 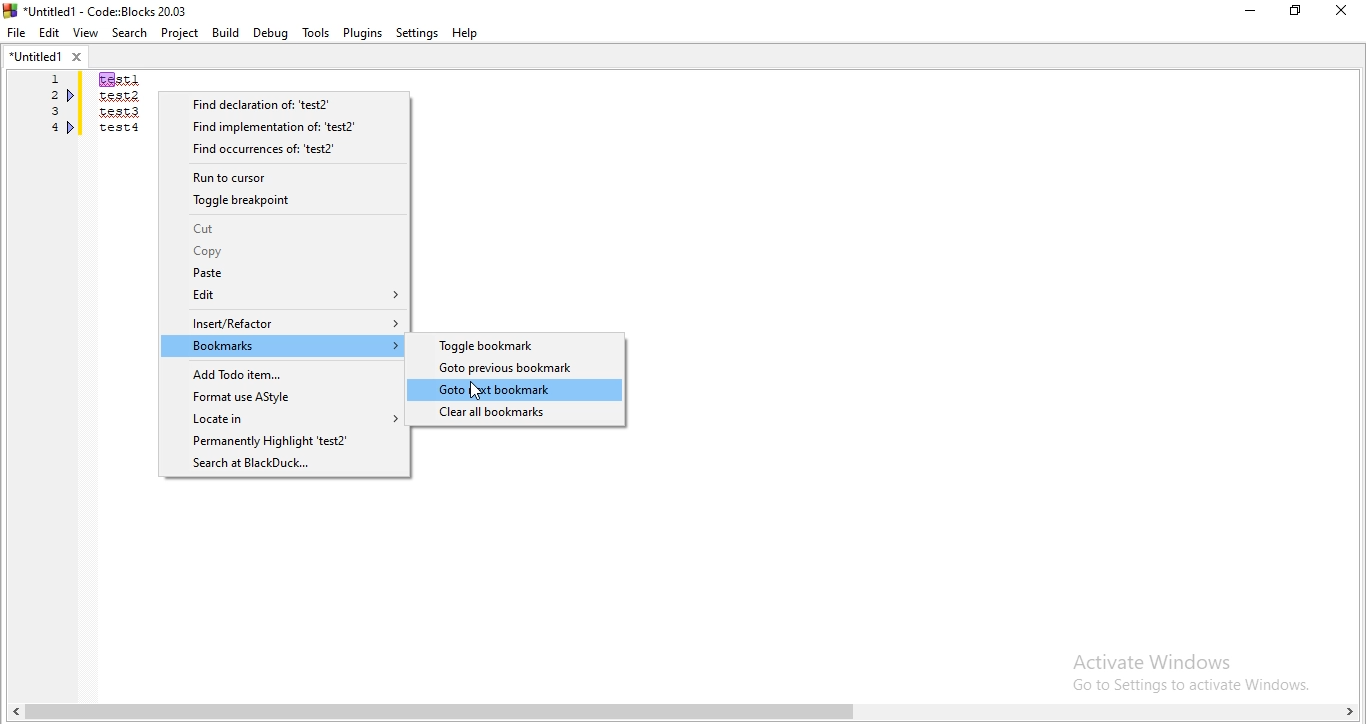 What do you see at coordinates (224, 33) in the screenshot?
I see `Build ` at bounding box center [224, 33].